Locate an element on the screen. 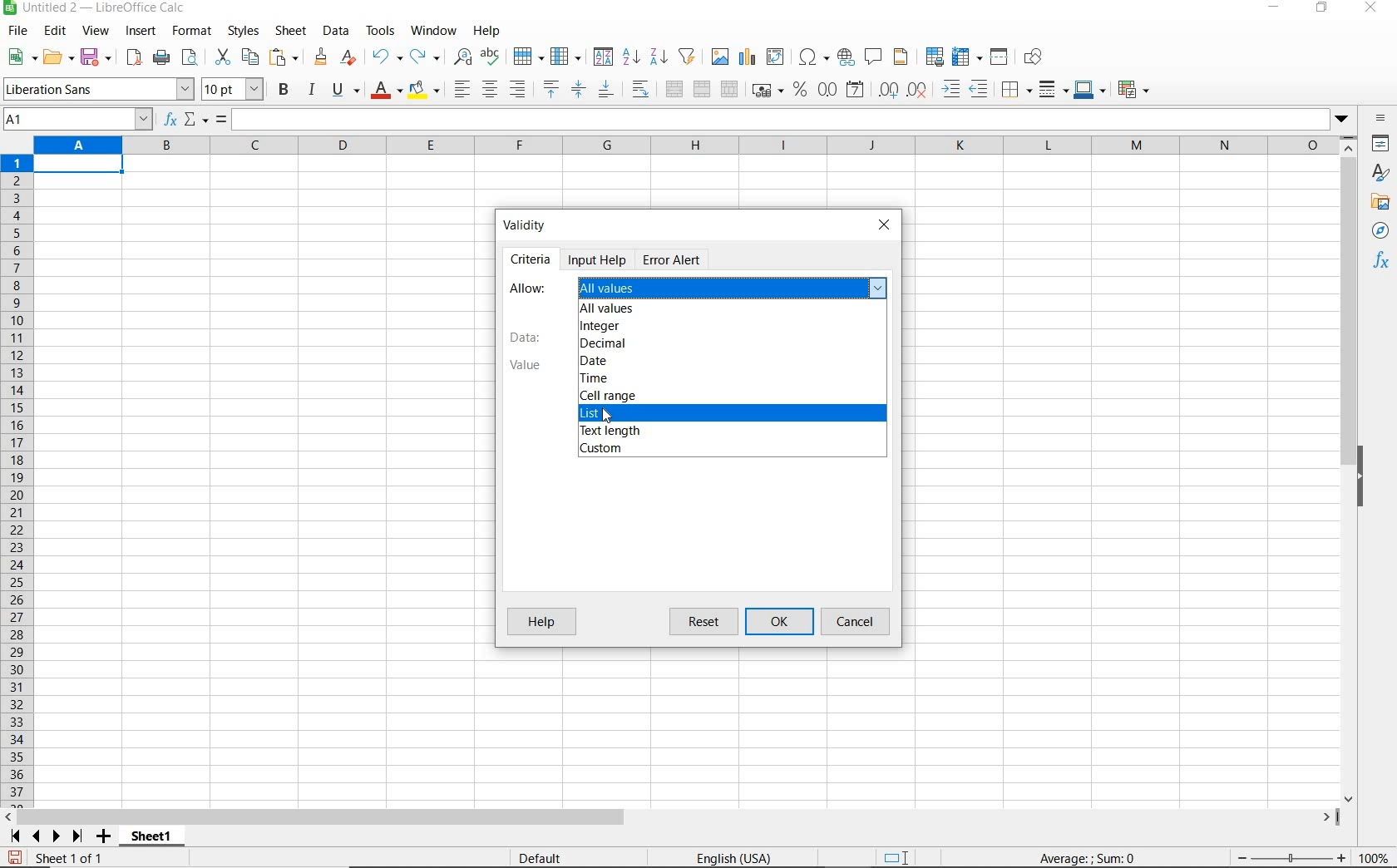  file is located at coordinates (15, 33).